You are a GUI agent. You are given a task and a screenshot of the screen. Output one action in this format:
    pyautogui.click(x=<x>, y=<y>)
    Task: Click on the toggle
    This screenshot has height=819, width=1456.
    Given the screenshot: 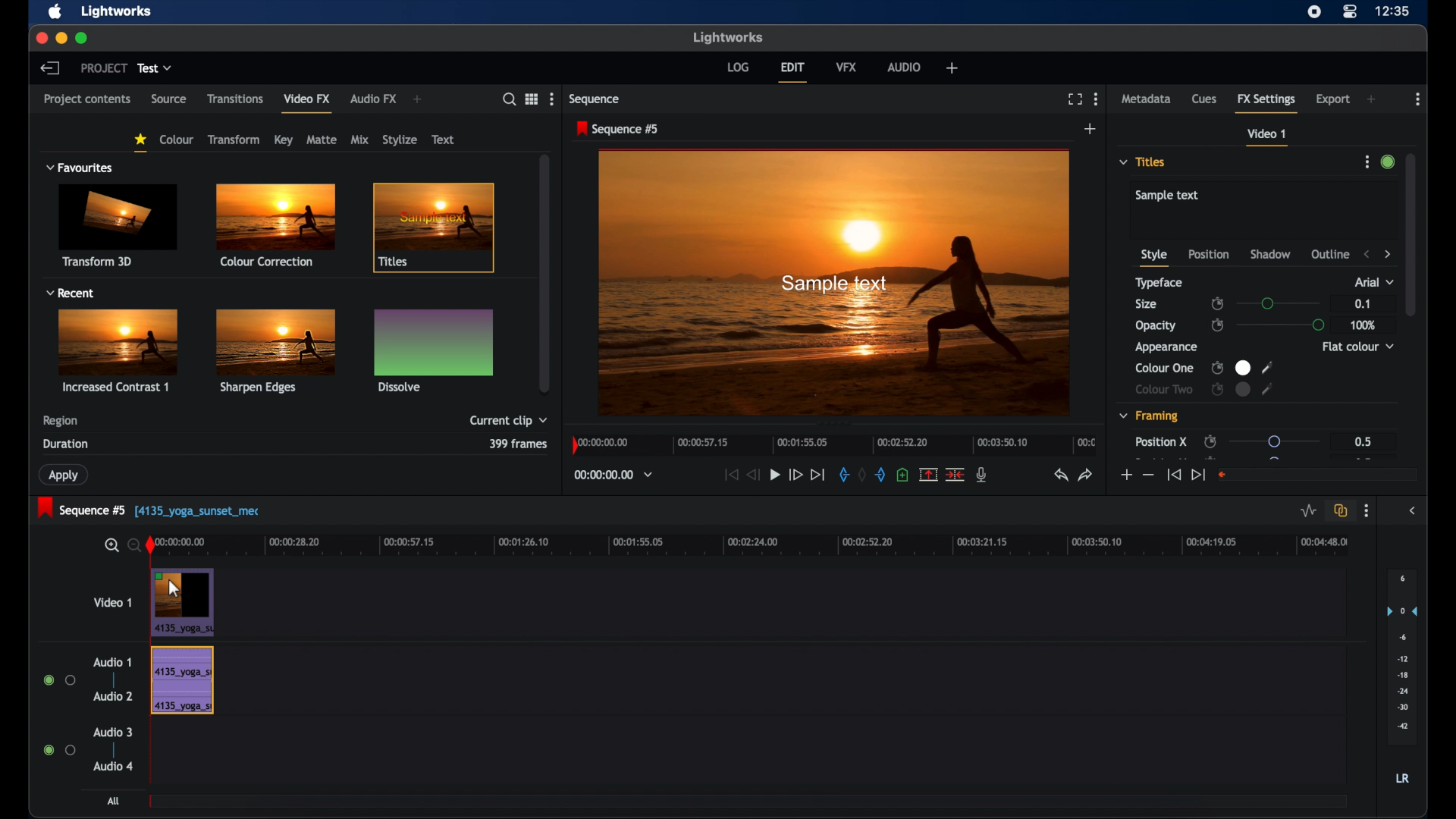 What is the action you would take?
    pyautogui.click(x=1387, y=162)
    